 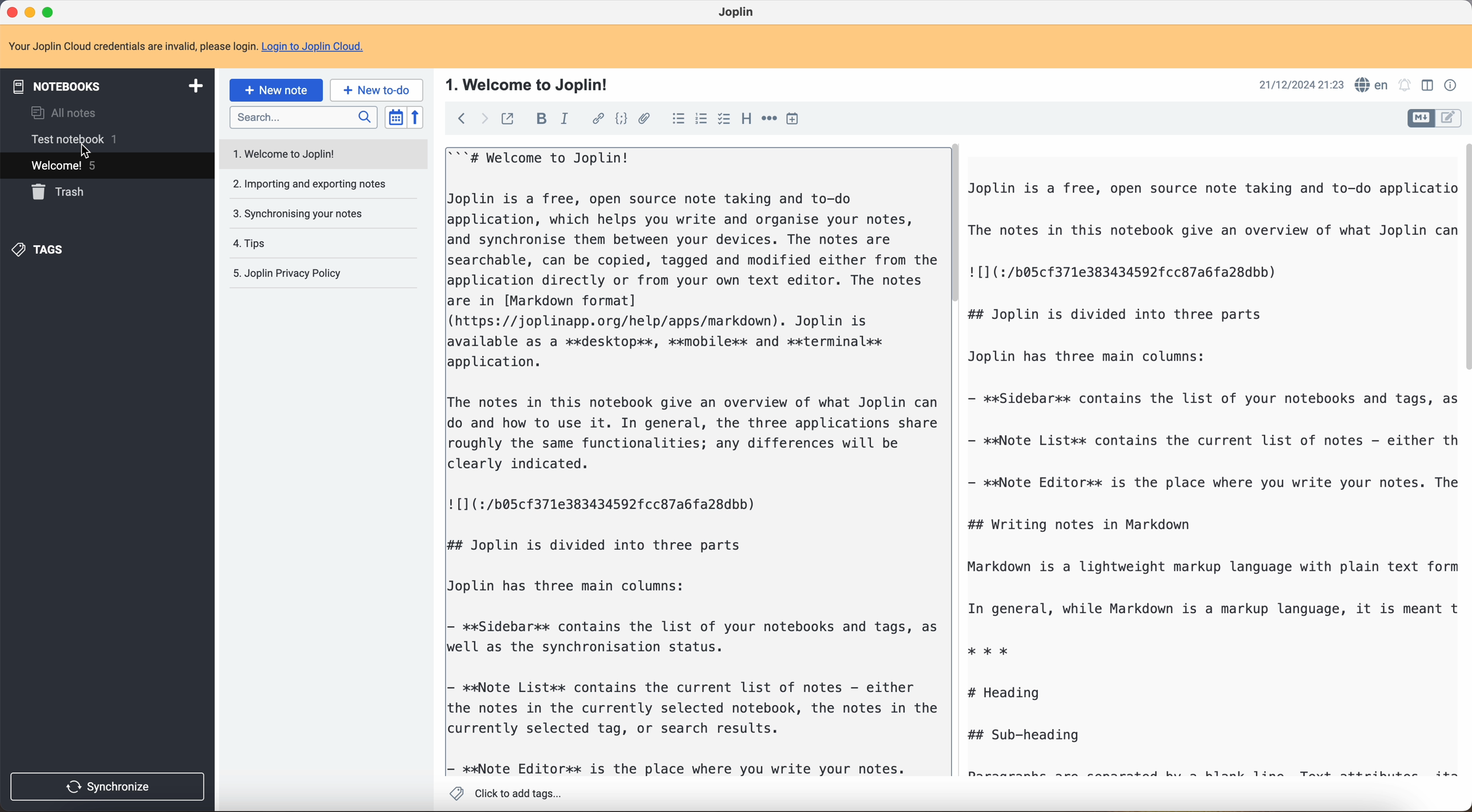 I want to click on notebooks, so click(x=109, y=87).